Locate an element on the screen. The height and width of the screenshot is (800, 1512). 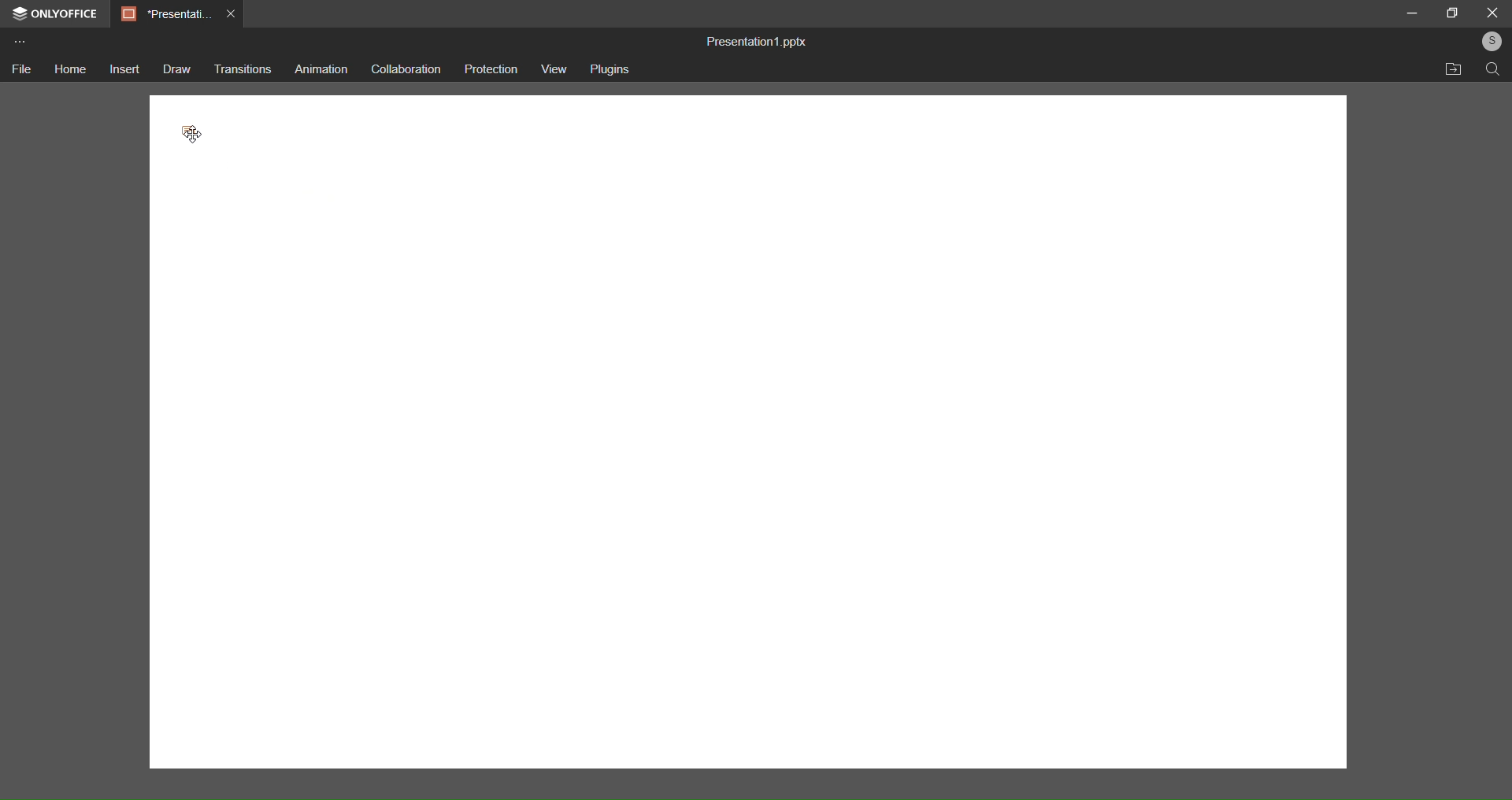
Presentation1 is located at coordinates (161, 13).